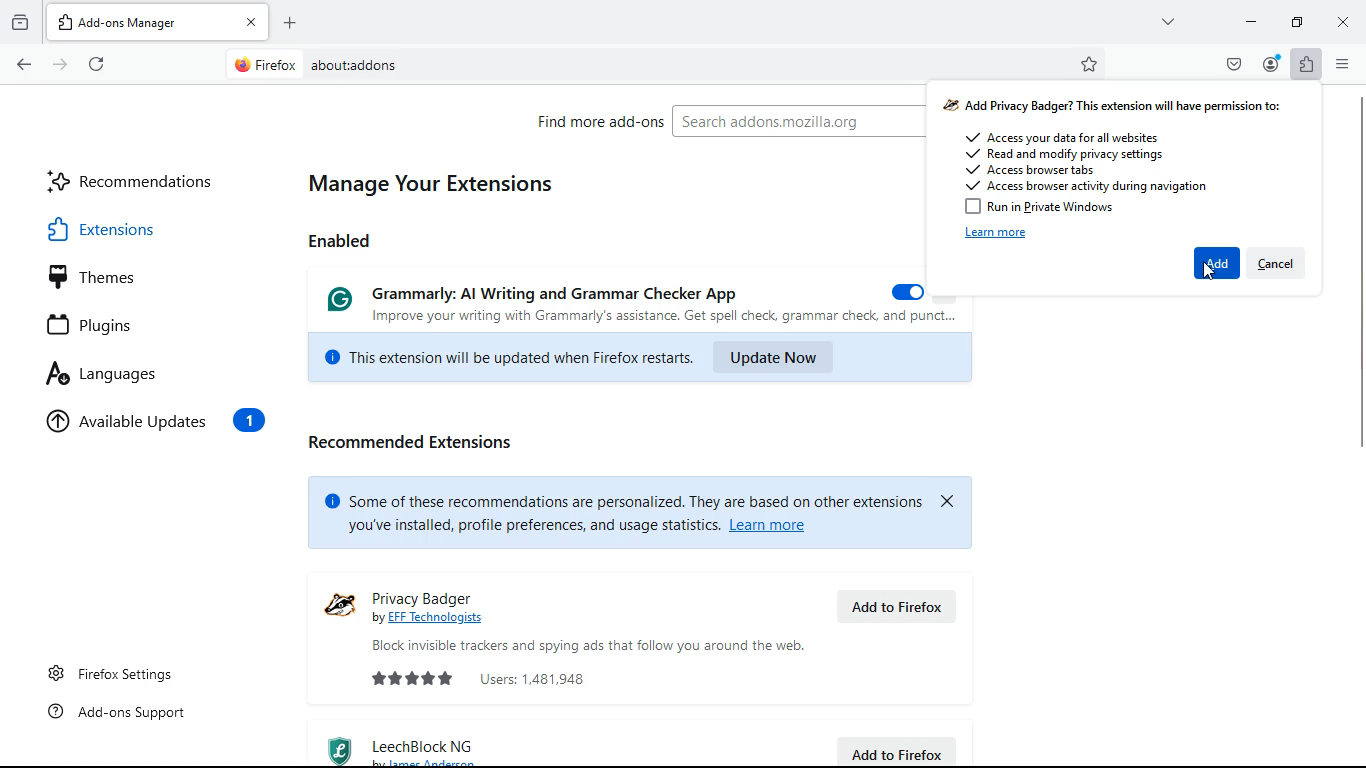  I want to click on bookmark, so click(1090, 64).